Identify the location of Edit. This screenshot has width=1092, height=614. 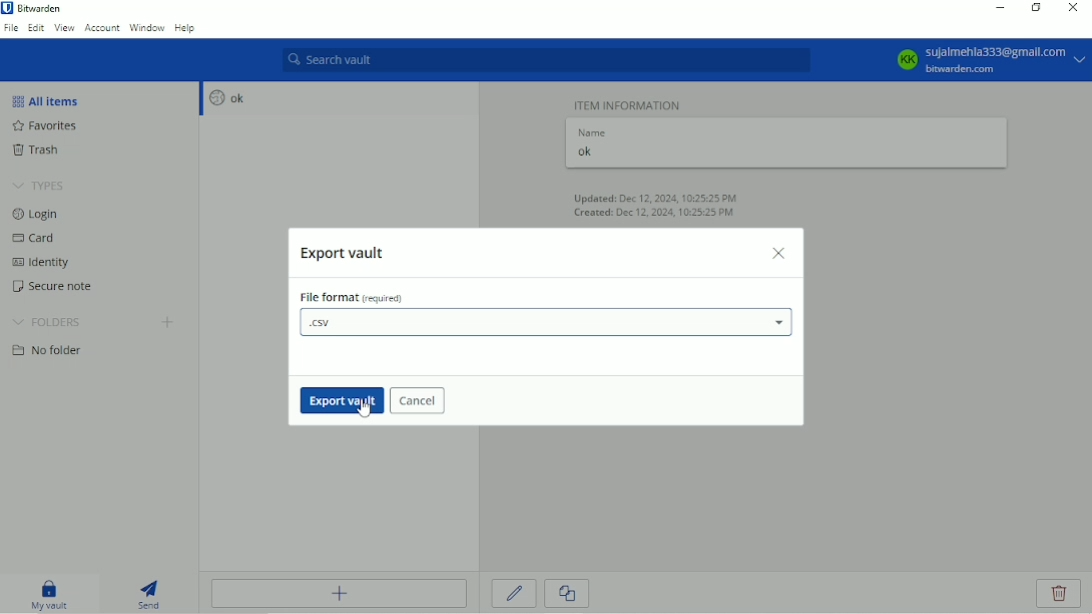
(515, 593).